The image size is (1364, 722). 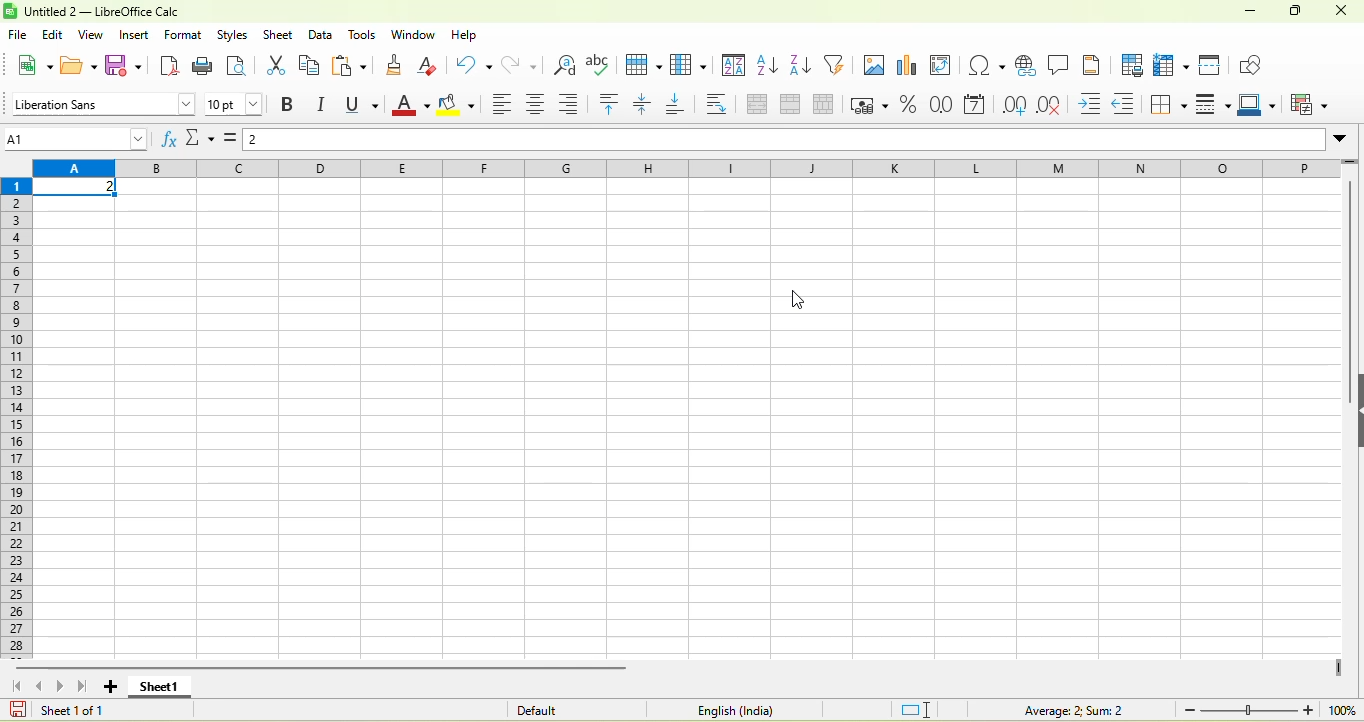 What do you see at coordinates (174, 67) in the screenshot?
I see `export directly as pdf` at bounding box center [174, 67].